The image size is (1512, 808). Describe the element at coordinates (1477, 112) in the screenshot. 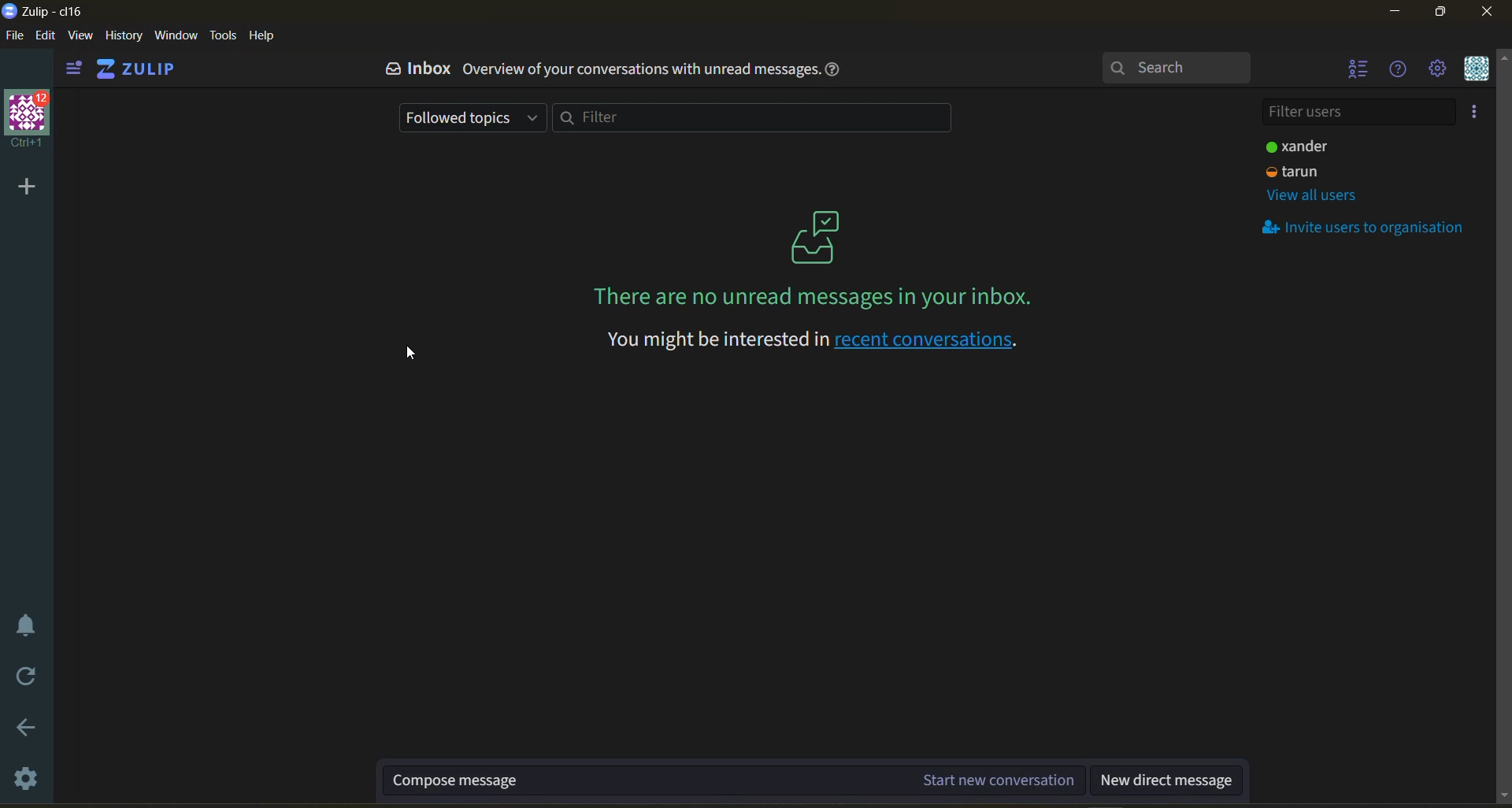

I see `invite users to organisation` at that location.